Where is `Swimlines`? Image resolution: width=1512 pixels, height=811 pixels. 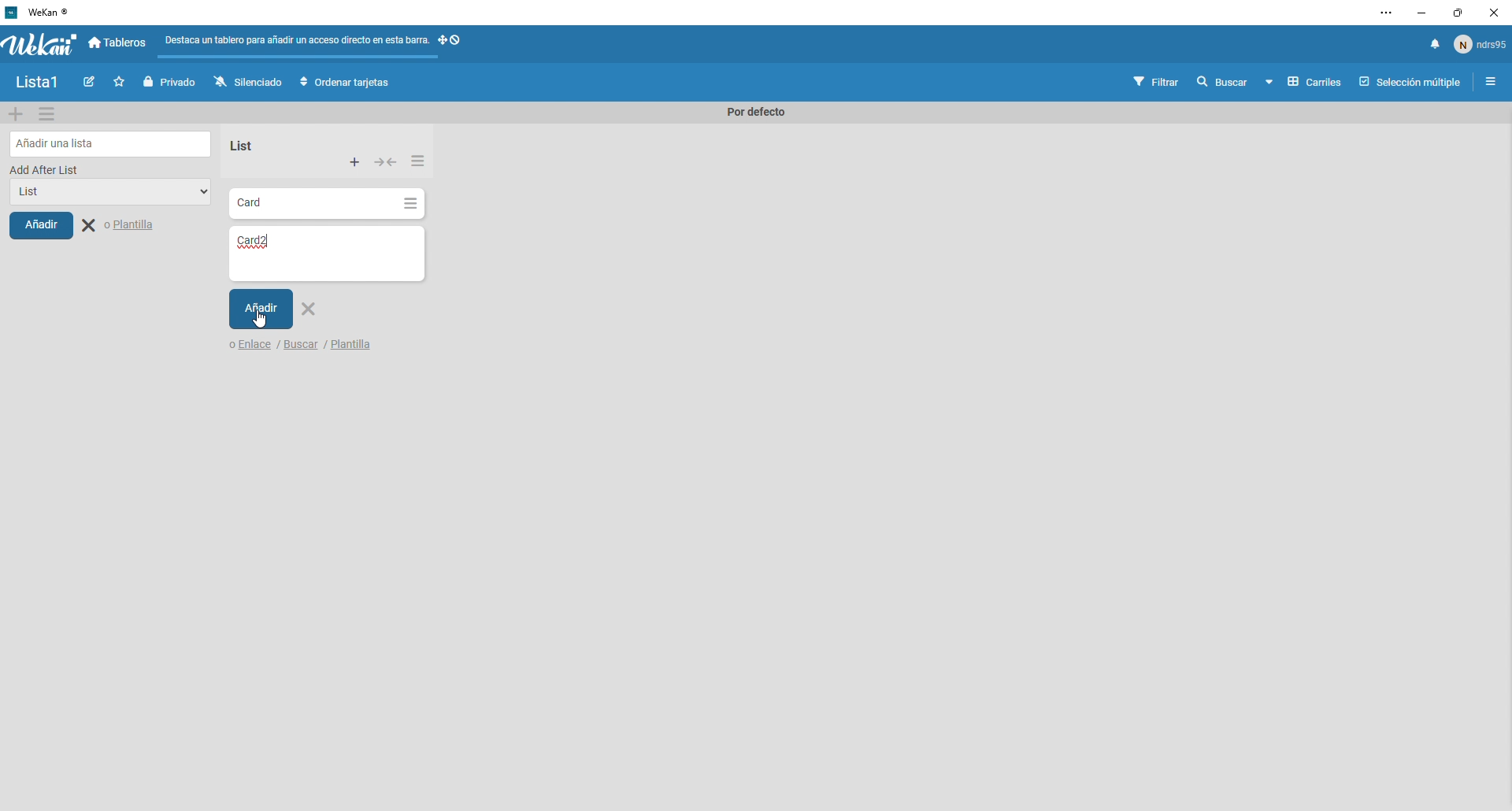
Swimlines is located at coordinates (1303, 83).